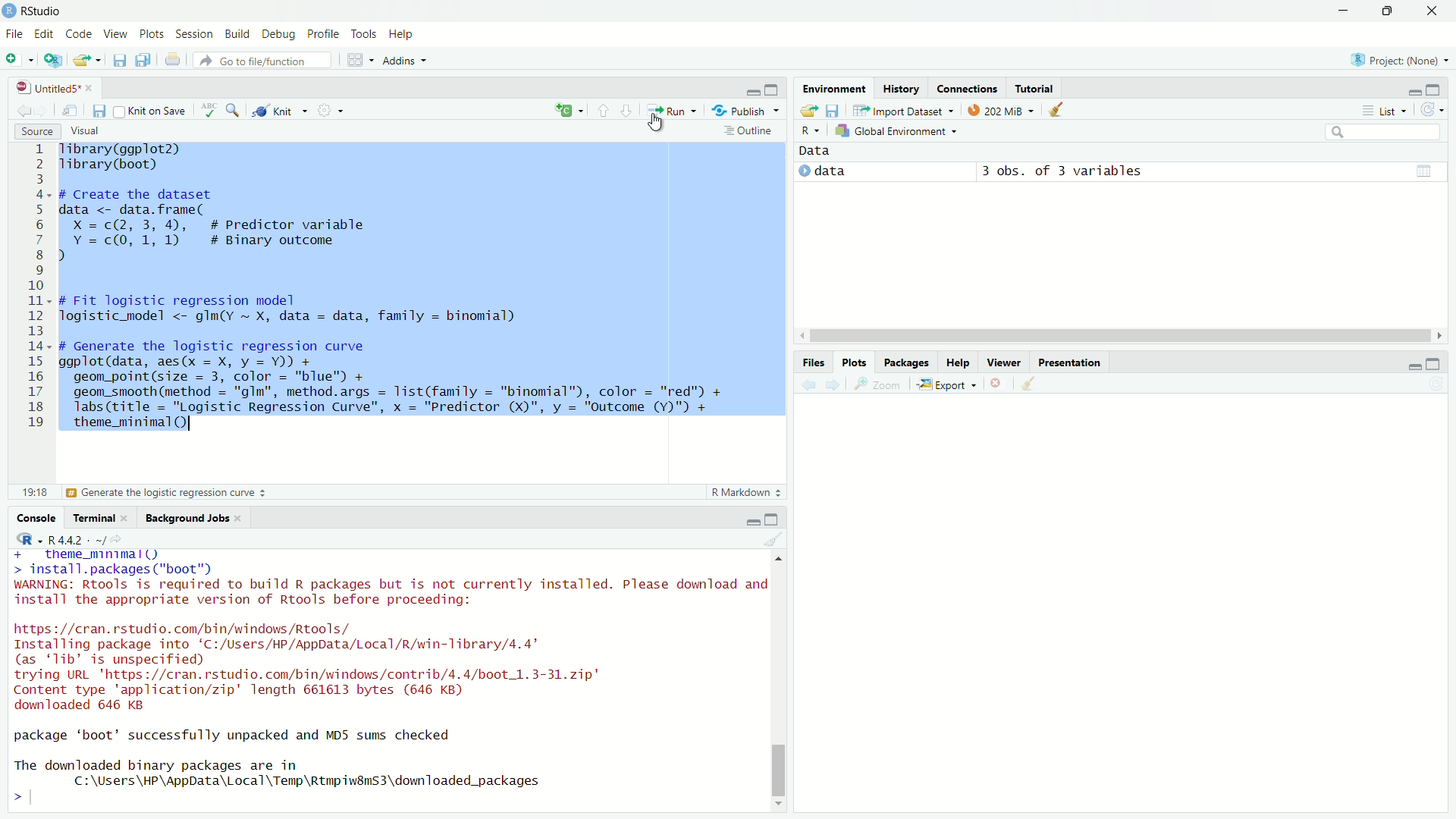  What do you see at coordinates (777, 681) in the screenshot?
I see `vertical scroll bar` at bounding box center [777, 681].